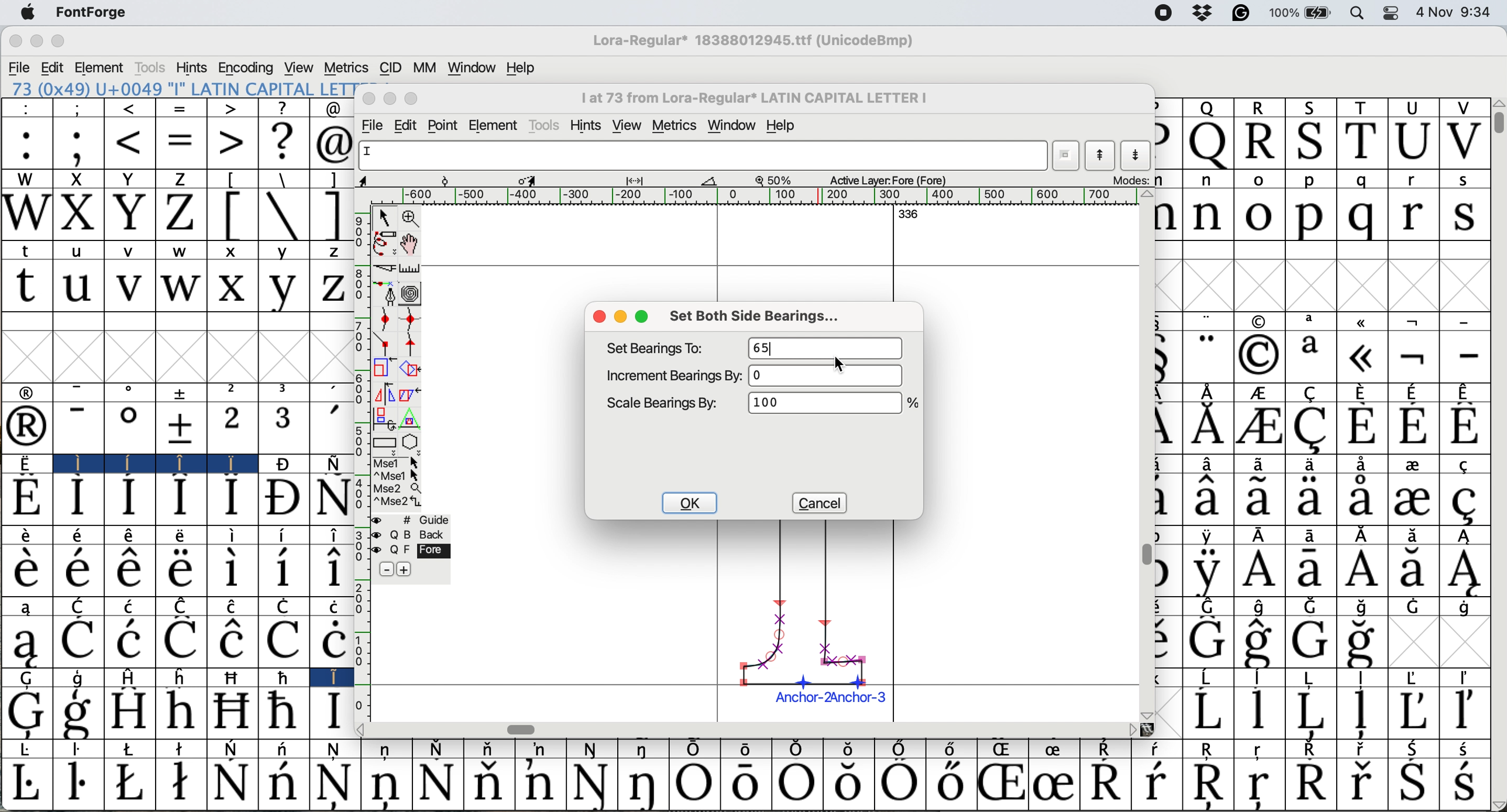 This screenshot has height=812, width=1507. I want to click on w, so click(185, 253).